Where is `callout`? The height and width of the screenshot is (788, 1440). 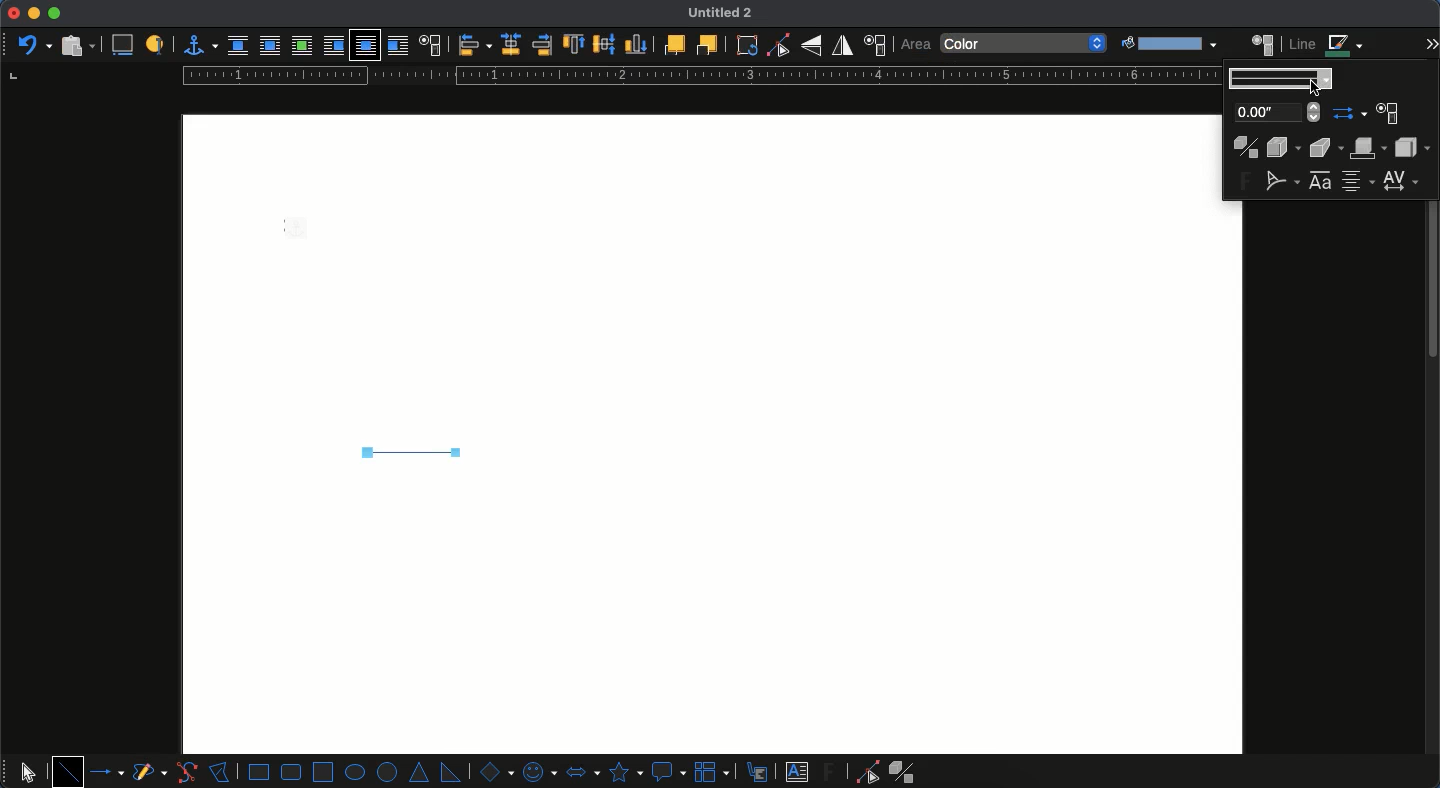
callout is located at coordinates (668, 772).